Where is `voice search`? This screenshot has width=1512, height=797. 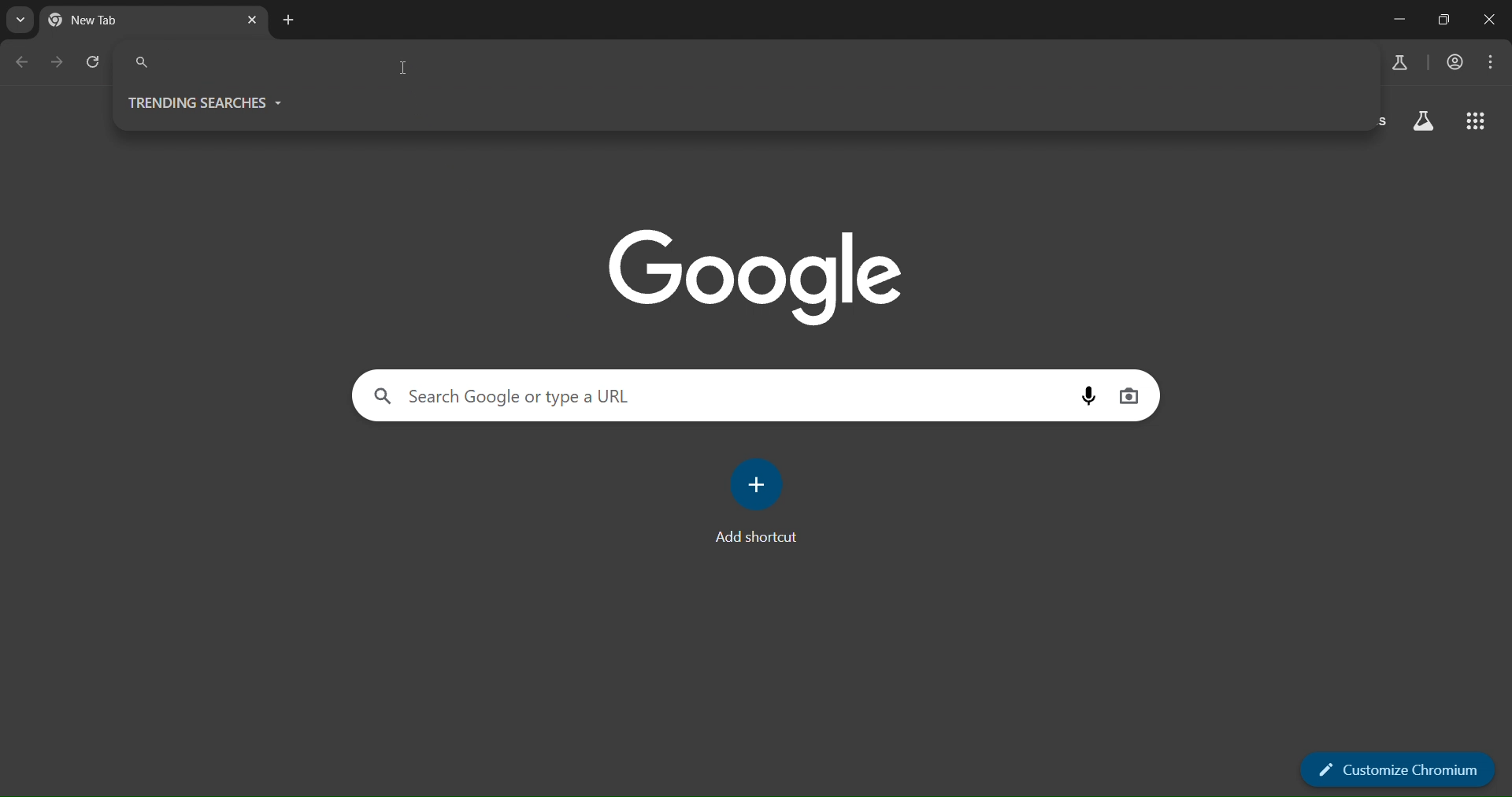
voice search is located at coordinates (1086, 395).